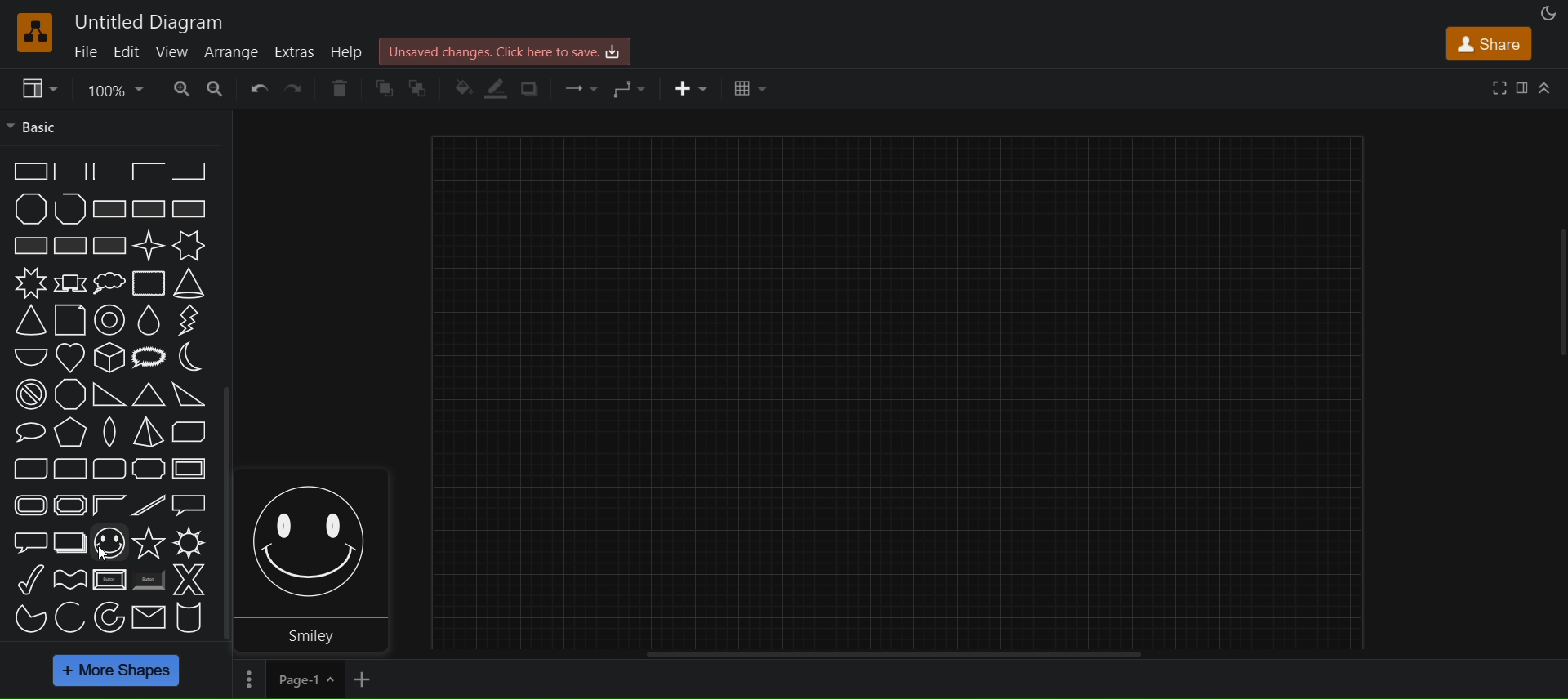 The width and height of the screenshot is (1568, 699). What do you see at coordinates (364, 679) in the screenshot?
I see `add new page` at bounding box center [364, 679].